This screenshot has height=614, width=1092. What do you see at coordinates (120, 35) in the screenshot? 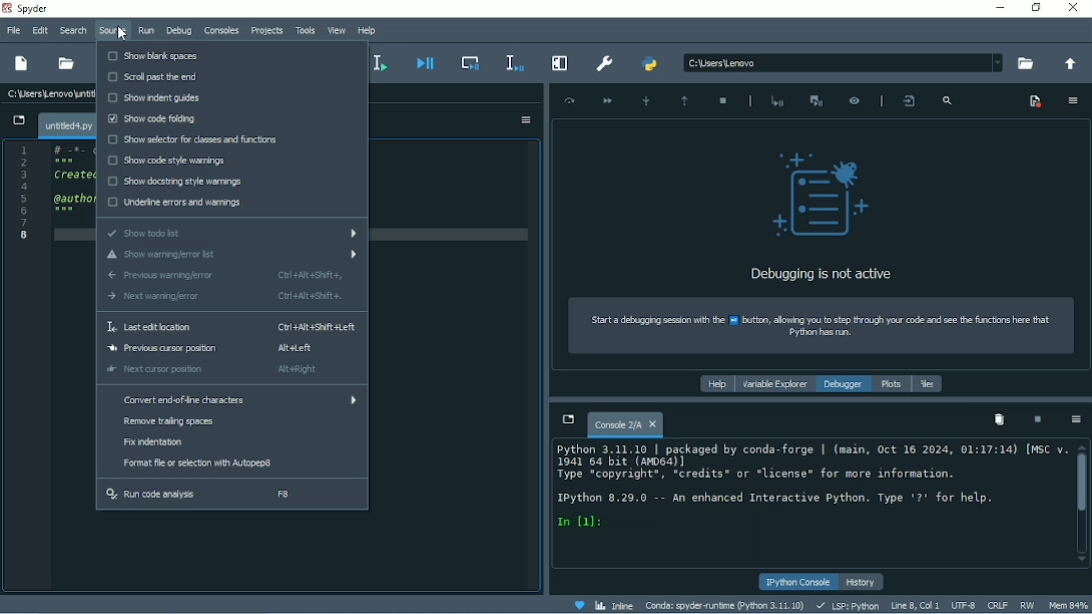
I see `cursor` at bounding box center [120, 35].